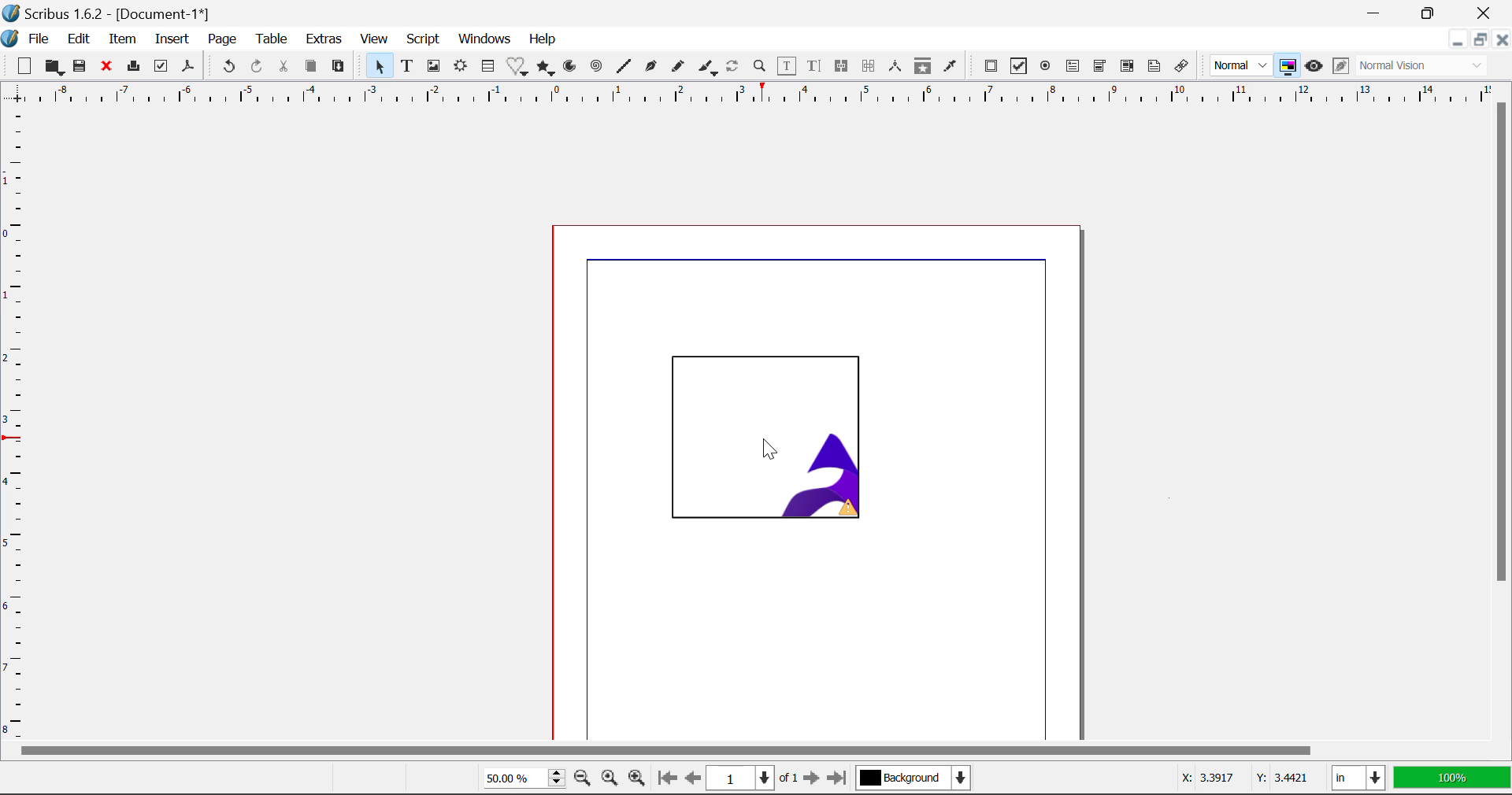 The height and width of the screenshot is (795, 1512). Describe the element at coordinates (1427, 66) in the screenshot. I see `Display Appearance` at that location.